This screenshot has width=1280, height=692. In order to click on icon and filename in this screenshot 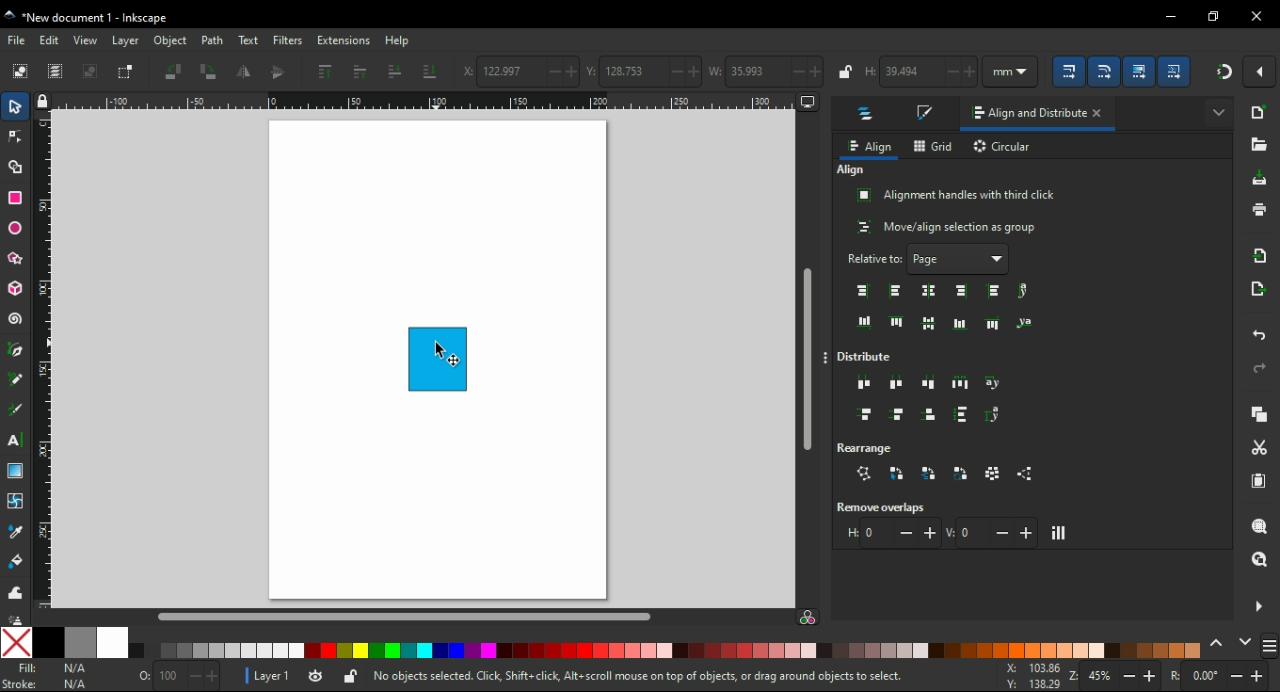, I will do `click(98, 16)`.